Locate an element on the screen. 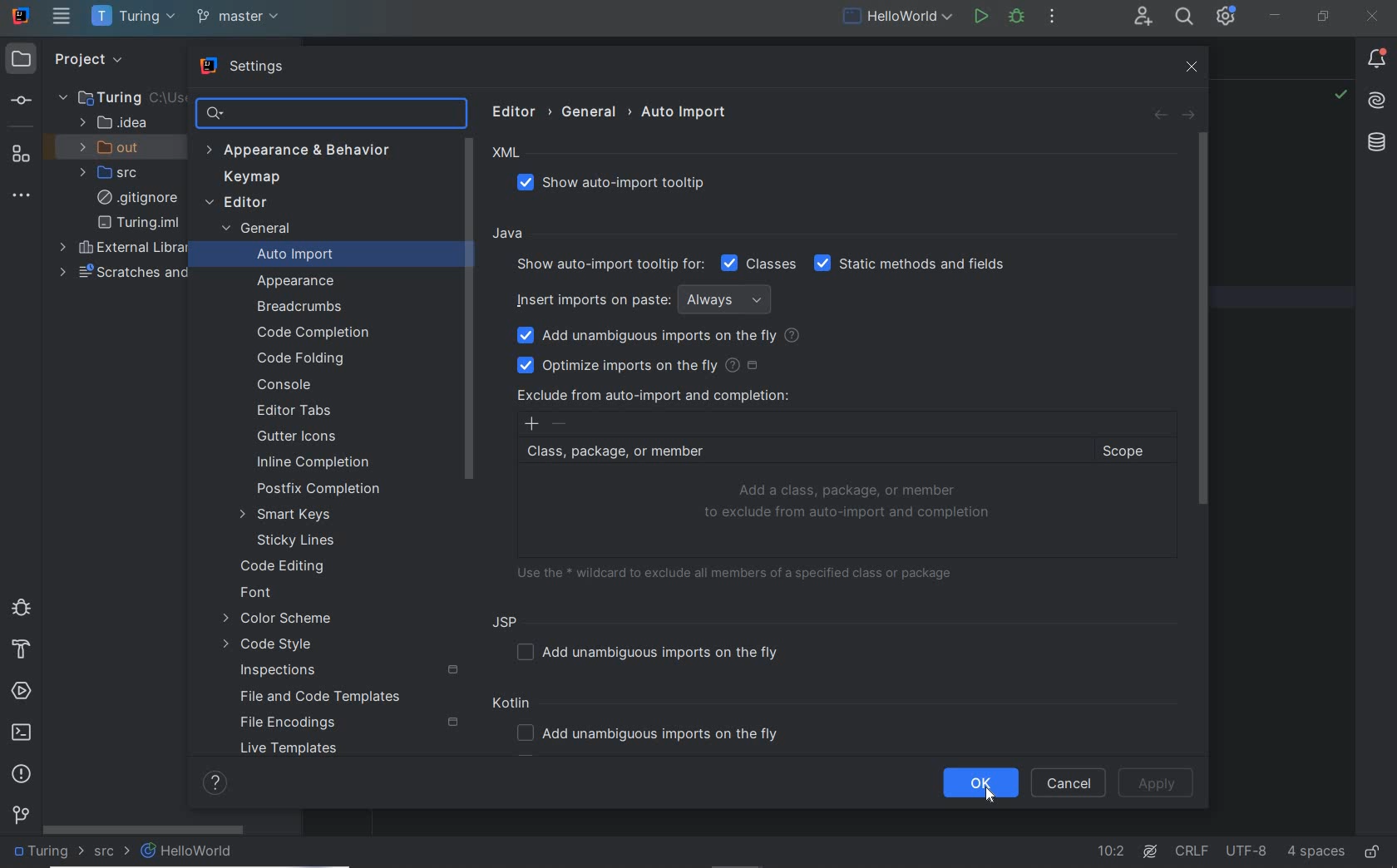 The width and height of the screenshot is (1397, 868). database is located at coordinates (1375, 144).